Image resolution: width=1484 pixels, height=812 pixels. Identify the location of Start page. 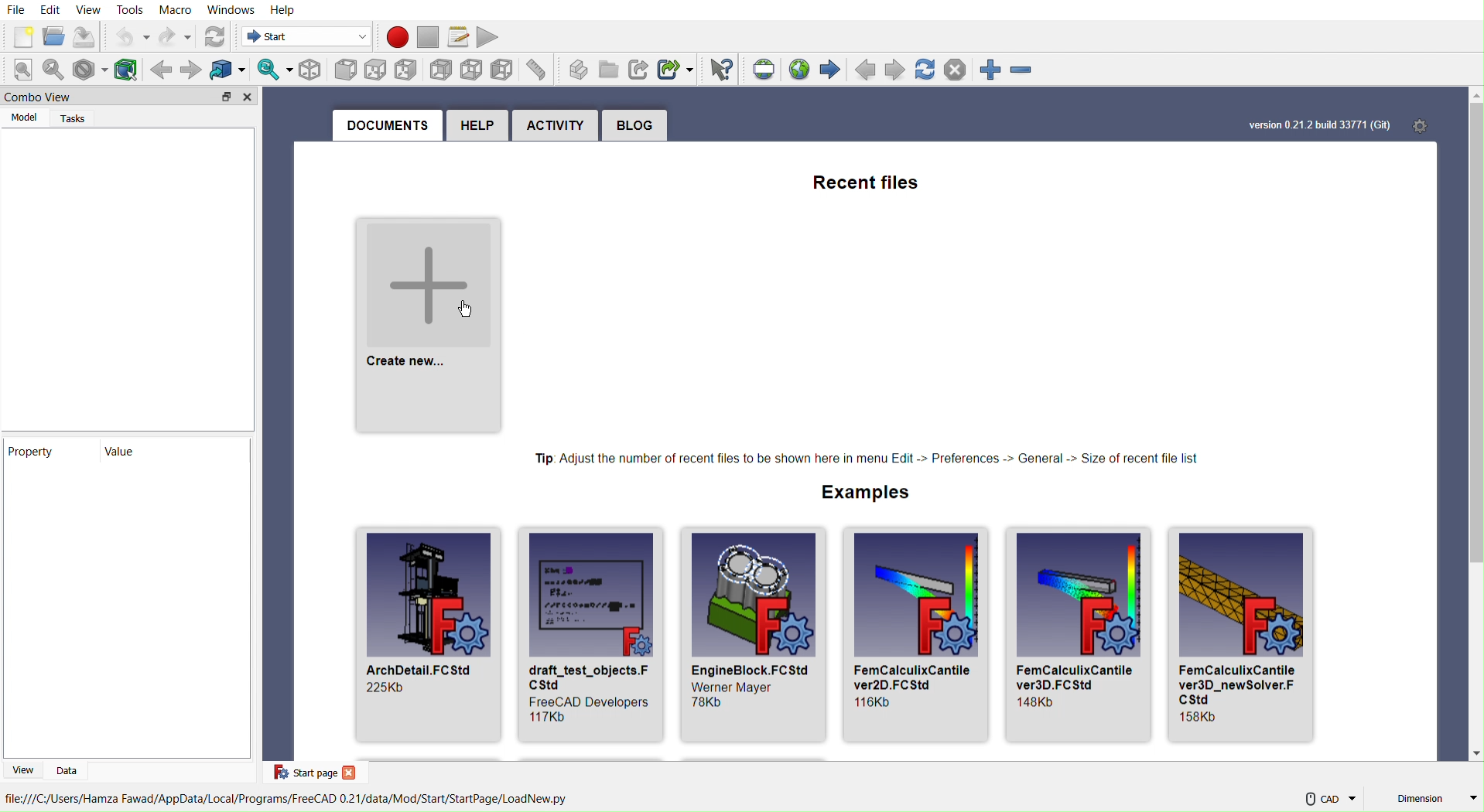
(313, 773).